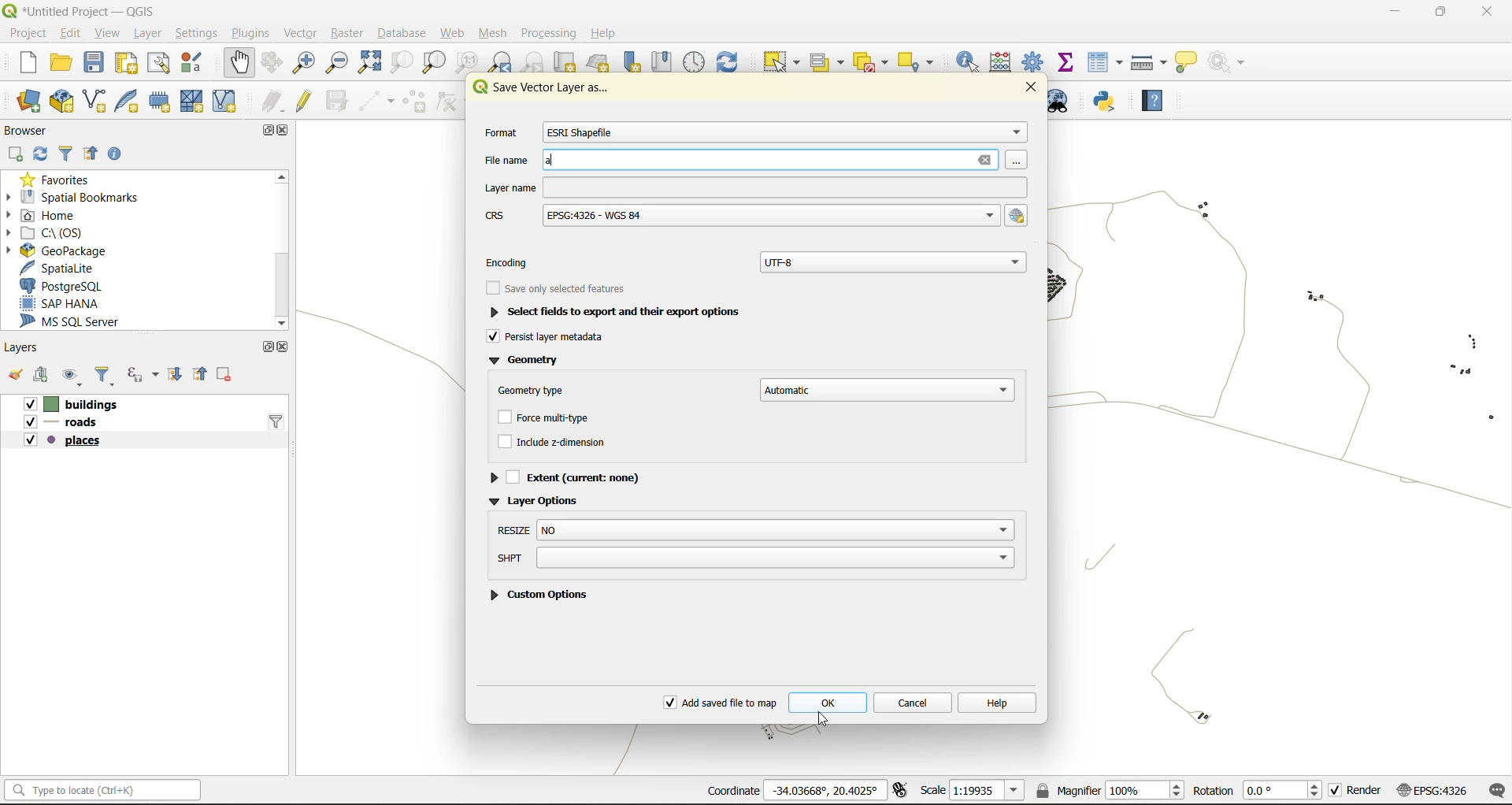 The height and width of the screenshot is (805, 1512). What do you see at coordinates (1440, 13) in the screenshot?
I see `maximize` at bounding box center [1440, 13].